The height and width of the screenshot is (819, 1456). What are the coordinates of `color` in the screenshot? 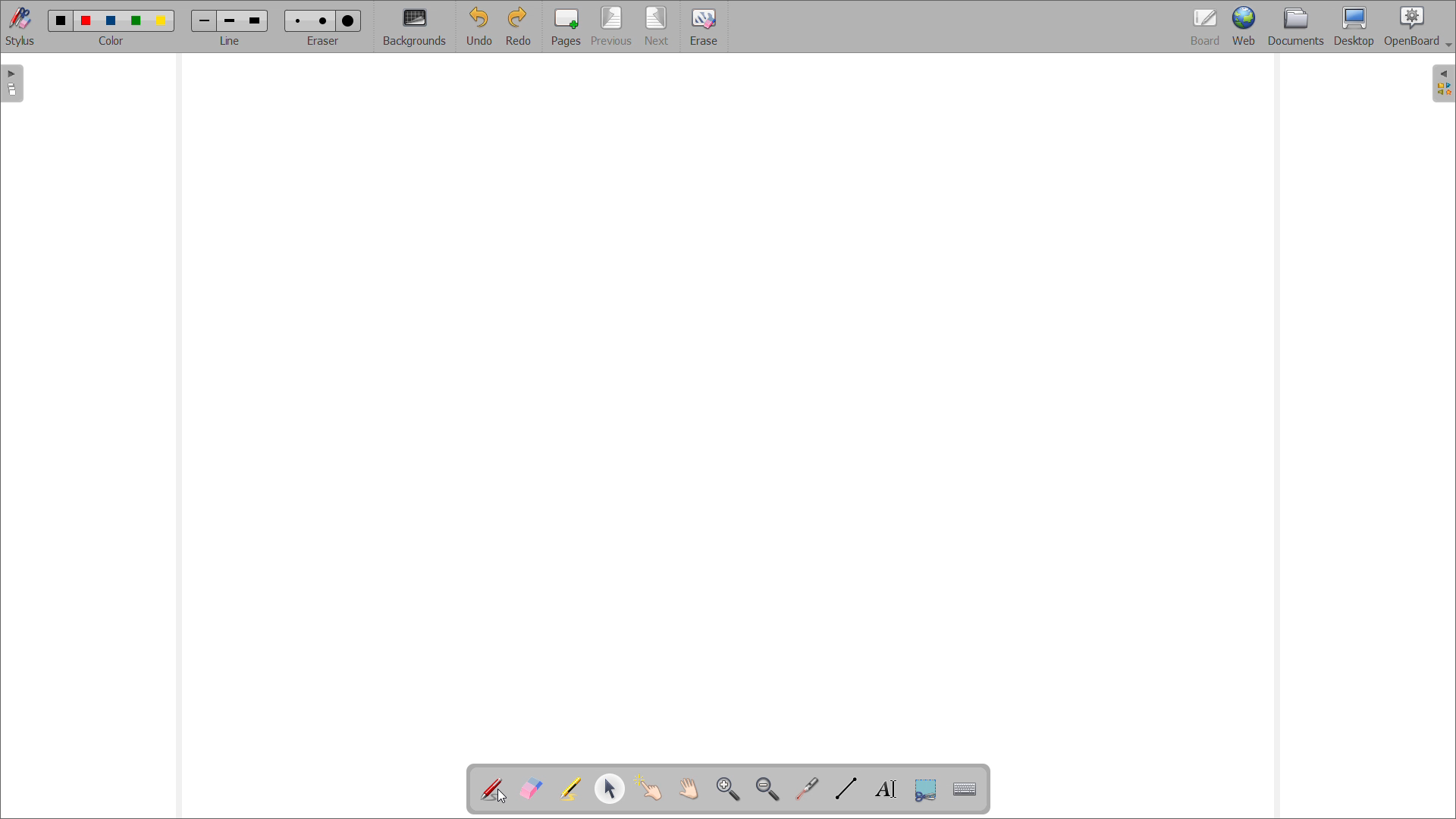 It's located at (114, 20).